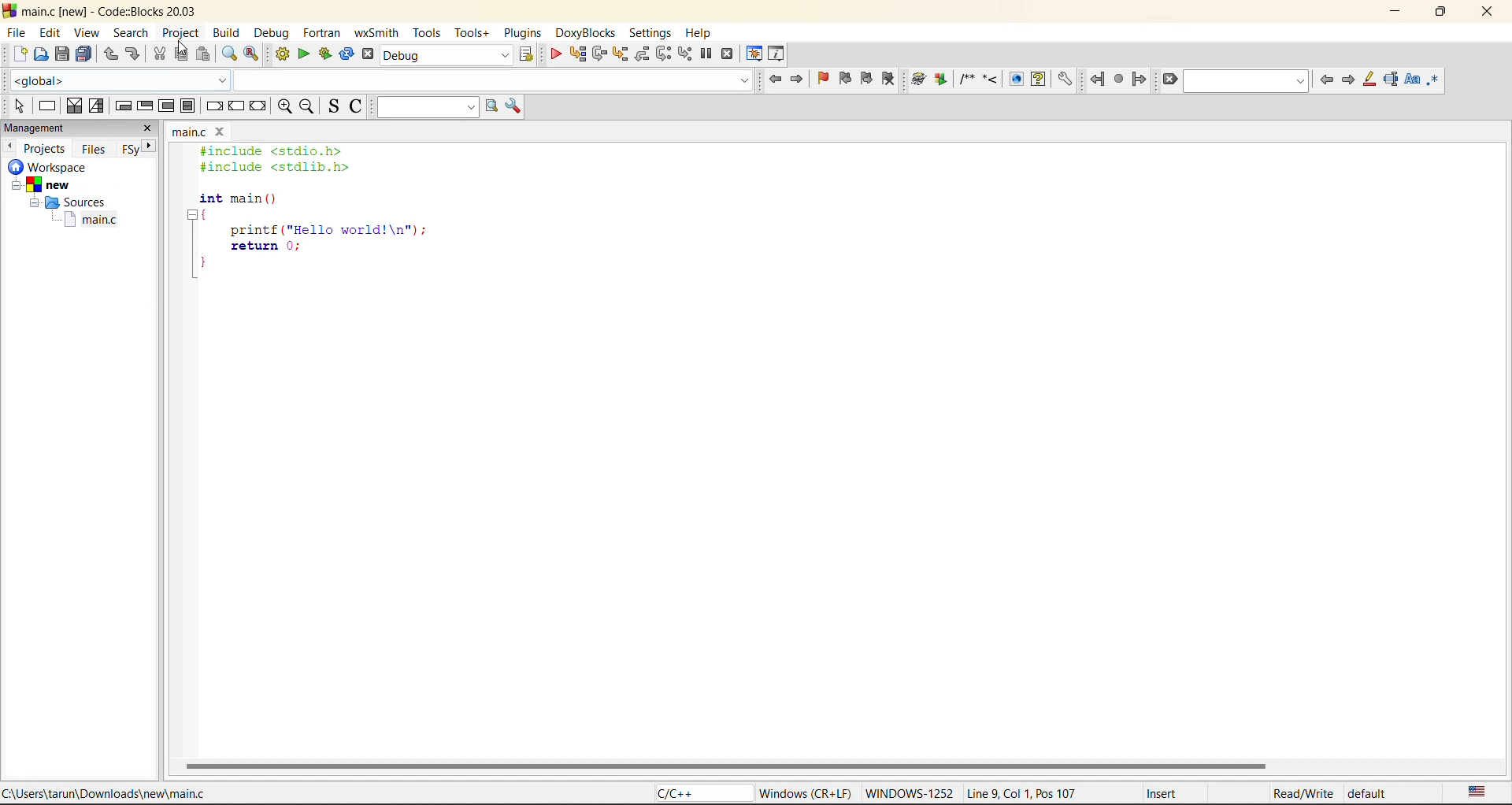 The height and width of the screenshot is (805, 1512). Describe the element at coordinates (9, 146) in the screenshot. I see `previous` at that location.